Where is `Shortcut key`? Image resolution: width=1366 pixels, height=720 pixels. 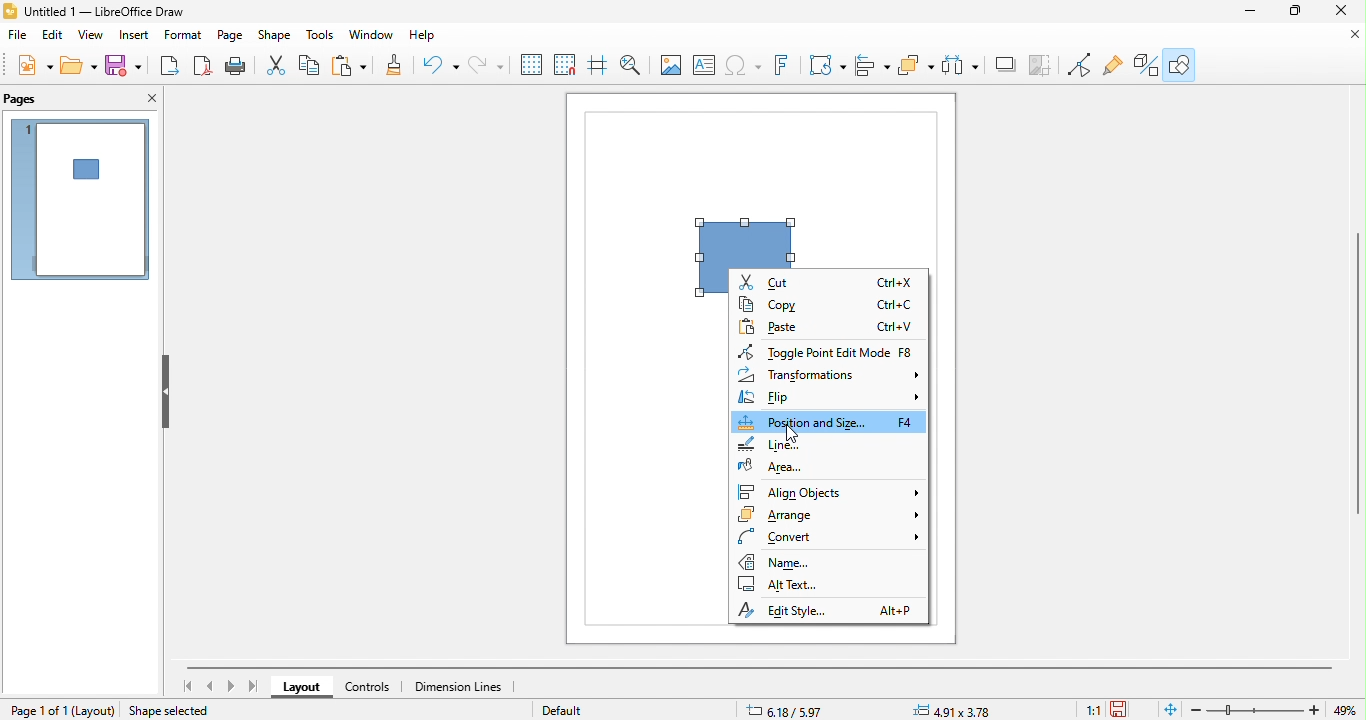 Shortcut key is located at coordinates (898, 611).